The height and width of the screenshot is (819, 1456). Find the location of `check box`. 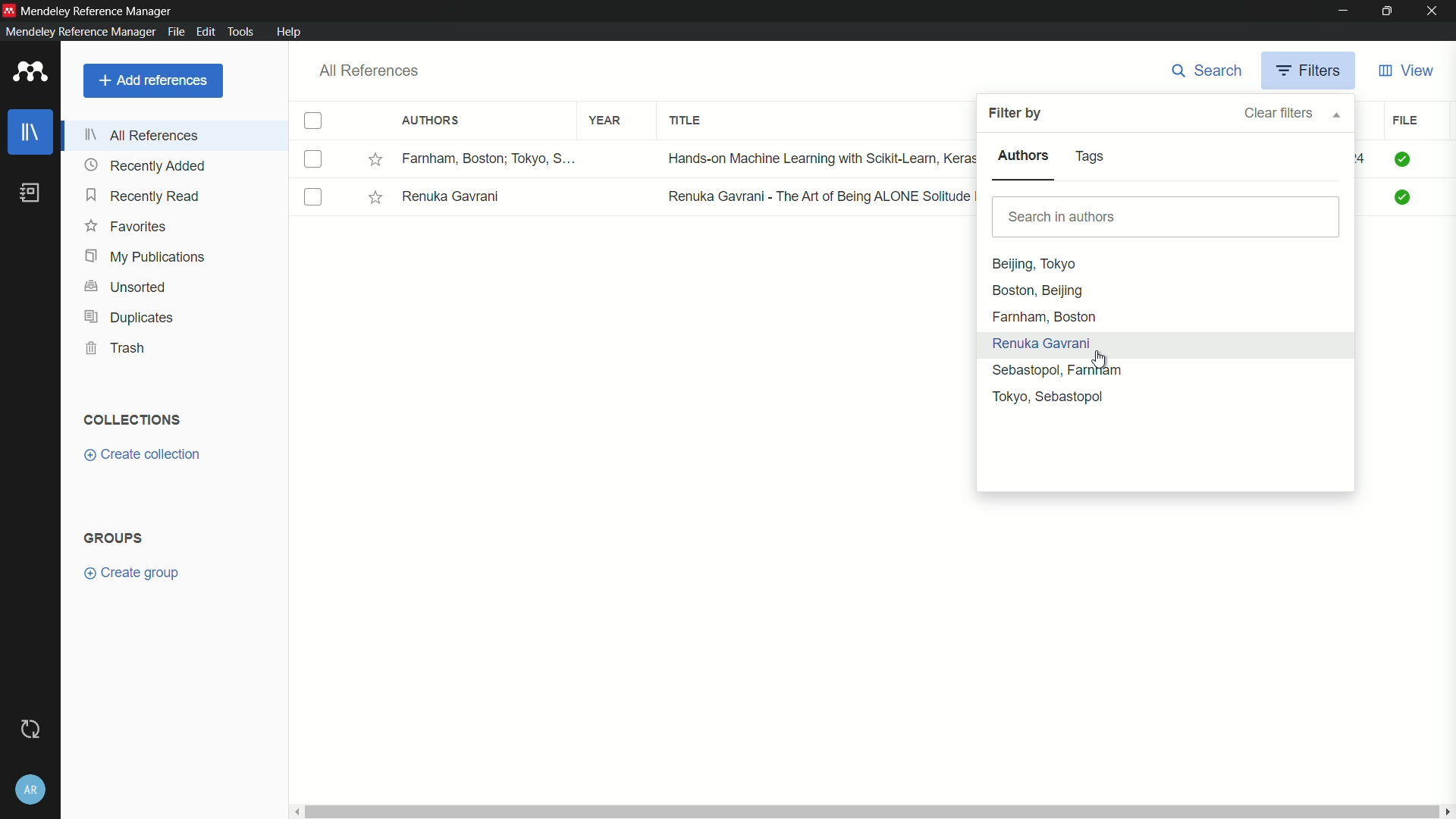

check box is located at coordinates (313, 196).